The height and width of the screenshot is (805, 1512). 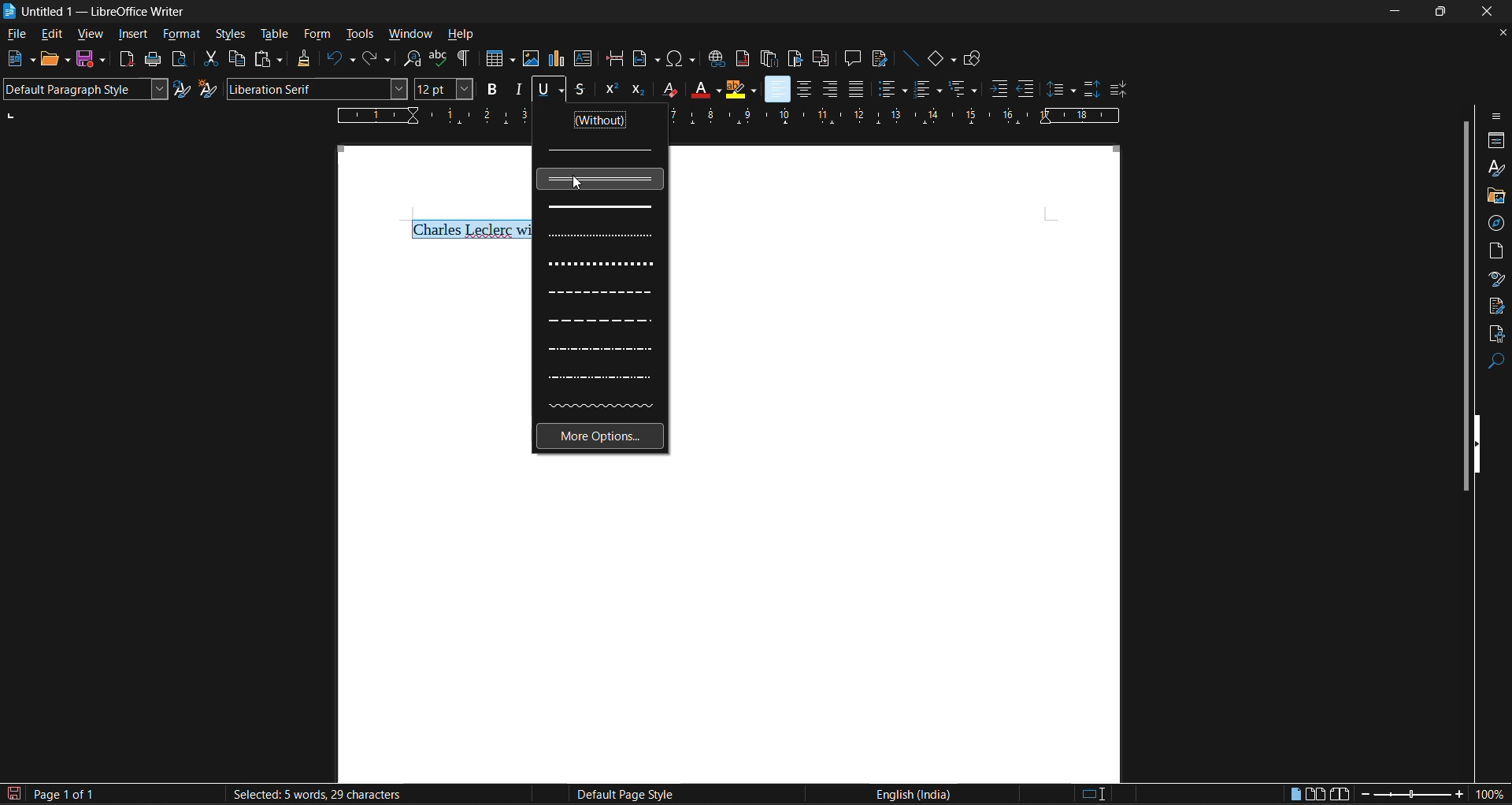 I want to click on check spelling, so click(x=439, y=58).